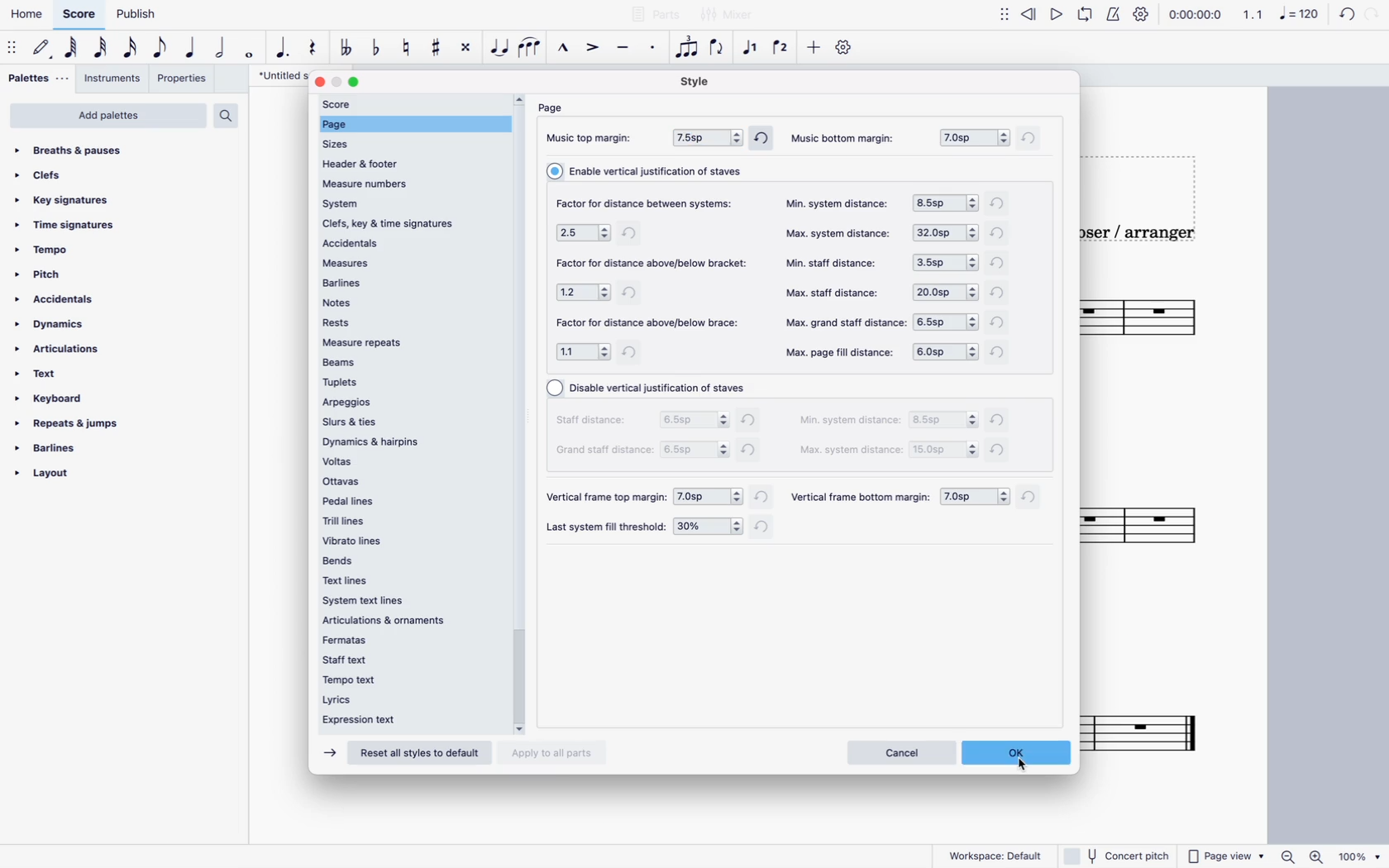 This screenshot has width=1389, height=868. Describe the element at coordinates (1302, 17) in the screenshot. I see `Note 120` at that location.